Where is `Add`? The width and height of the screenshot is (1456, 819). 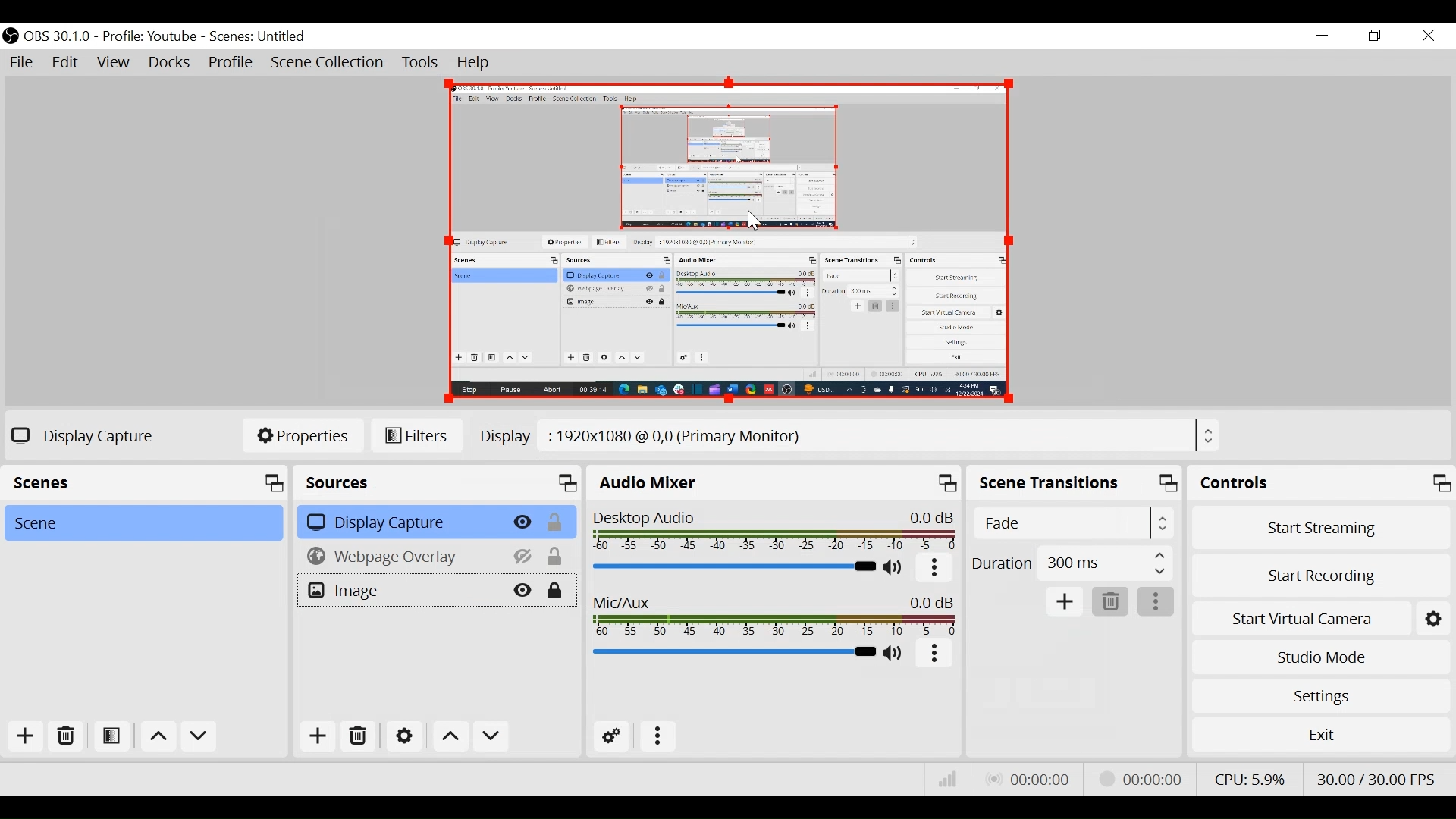 Add is located at coordinates (318, 736).